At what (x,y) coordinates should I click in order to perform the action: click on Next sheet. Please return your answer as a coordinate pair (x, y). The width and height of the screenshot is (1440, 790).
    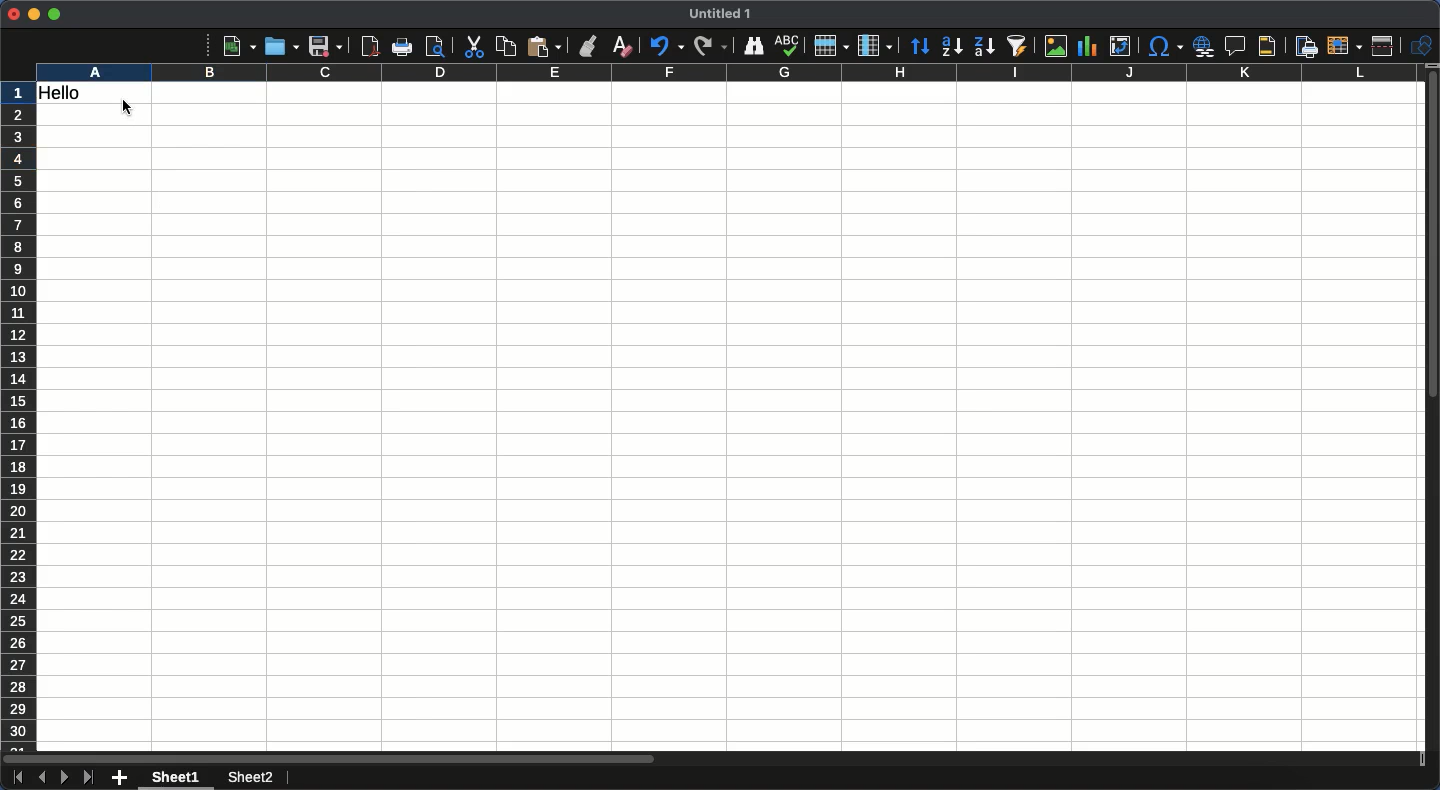
    Looking at the image, I should click on (65, 778).